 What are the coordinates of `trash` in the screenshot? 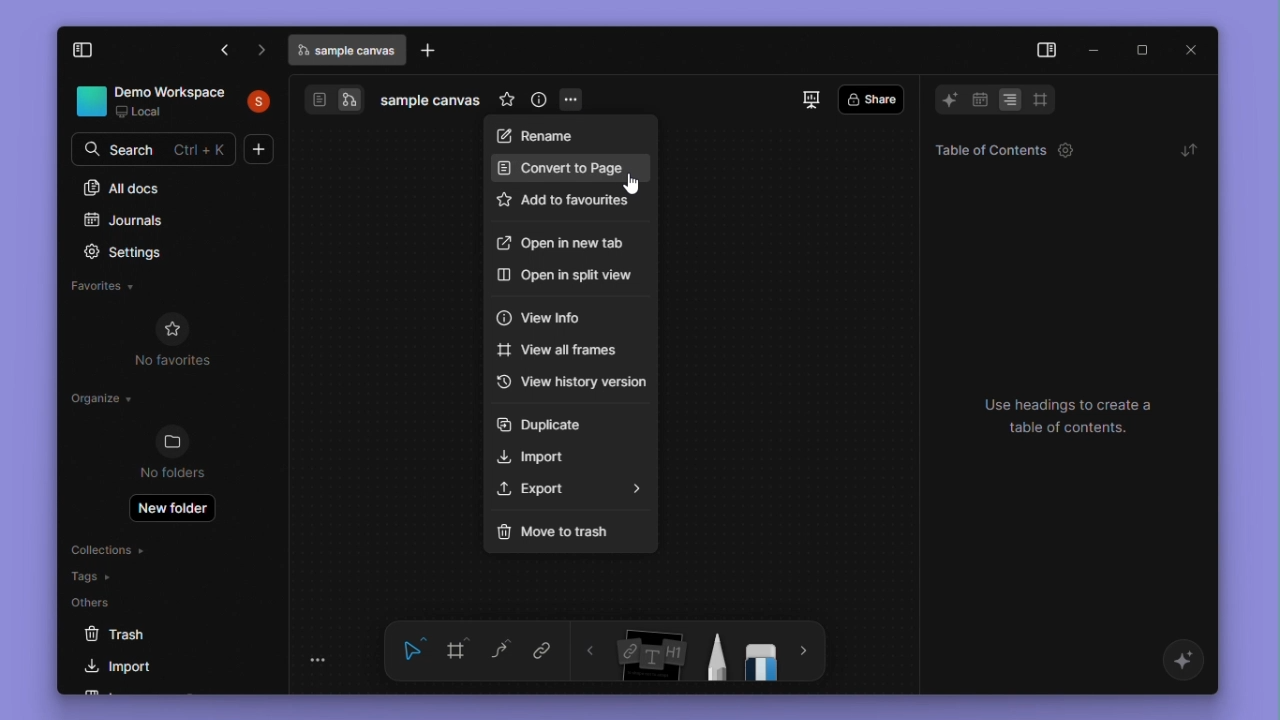 It's located at (135, 636).